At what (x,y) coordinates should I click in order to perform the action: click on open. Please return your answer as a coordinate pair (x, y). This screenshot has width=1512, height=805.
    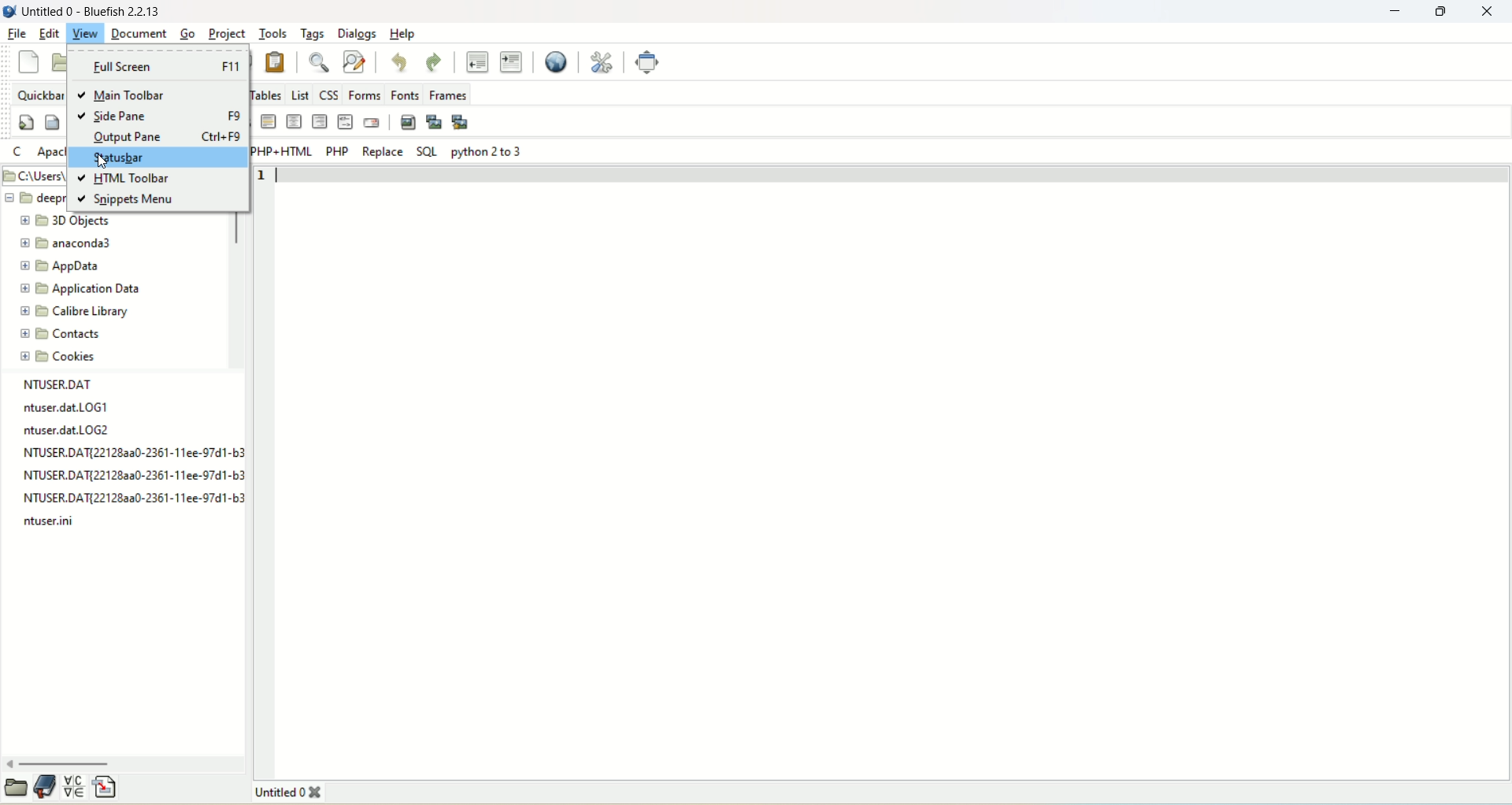
    Looking at the image, I should click on (16, 789).